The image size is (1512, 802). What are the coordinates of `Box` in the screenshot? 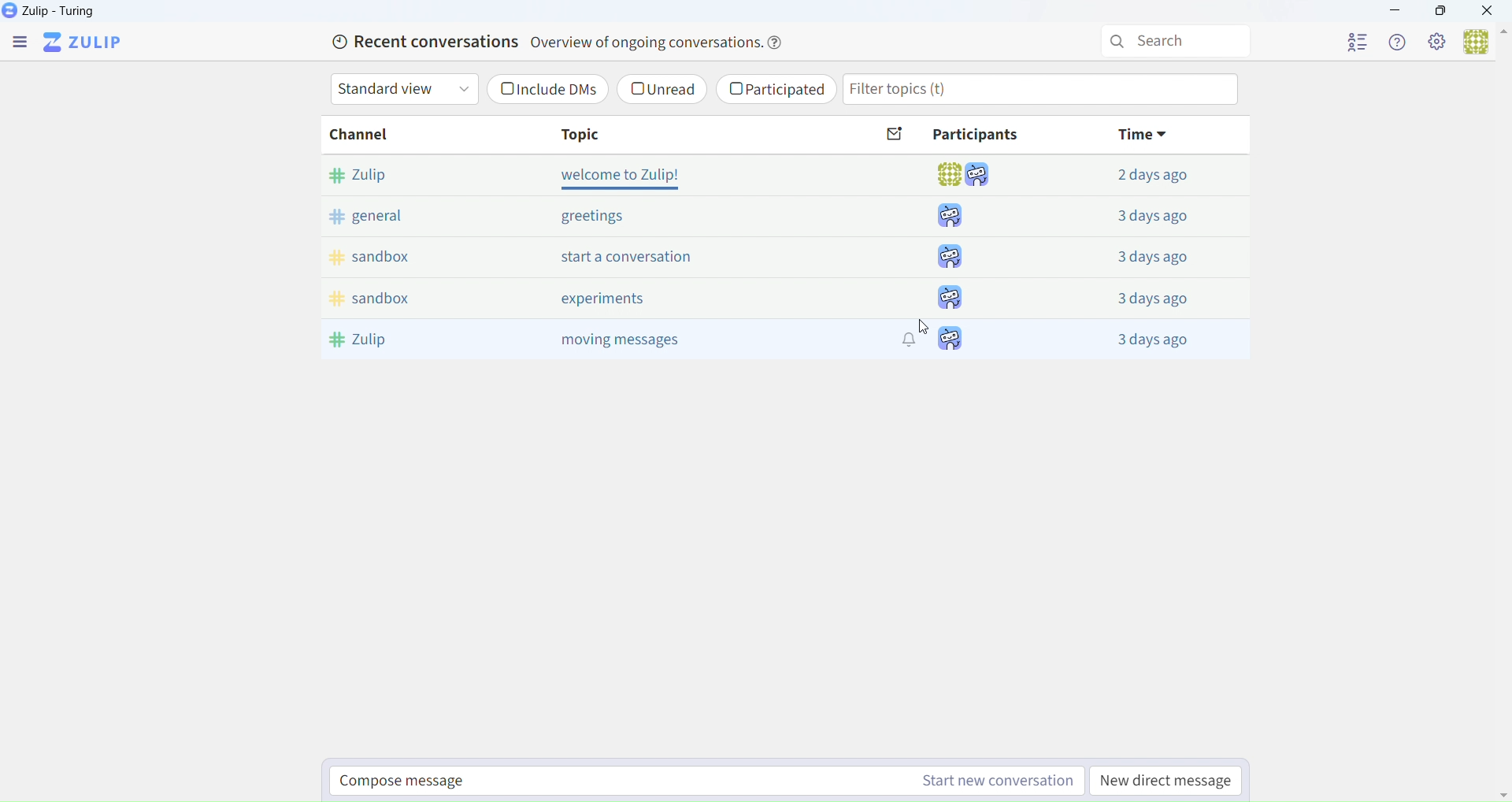 It's located at (1446, 12).